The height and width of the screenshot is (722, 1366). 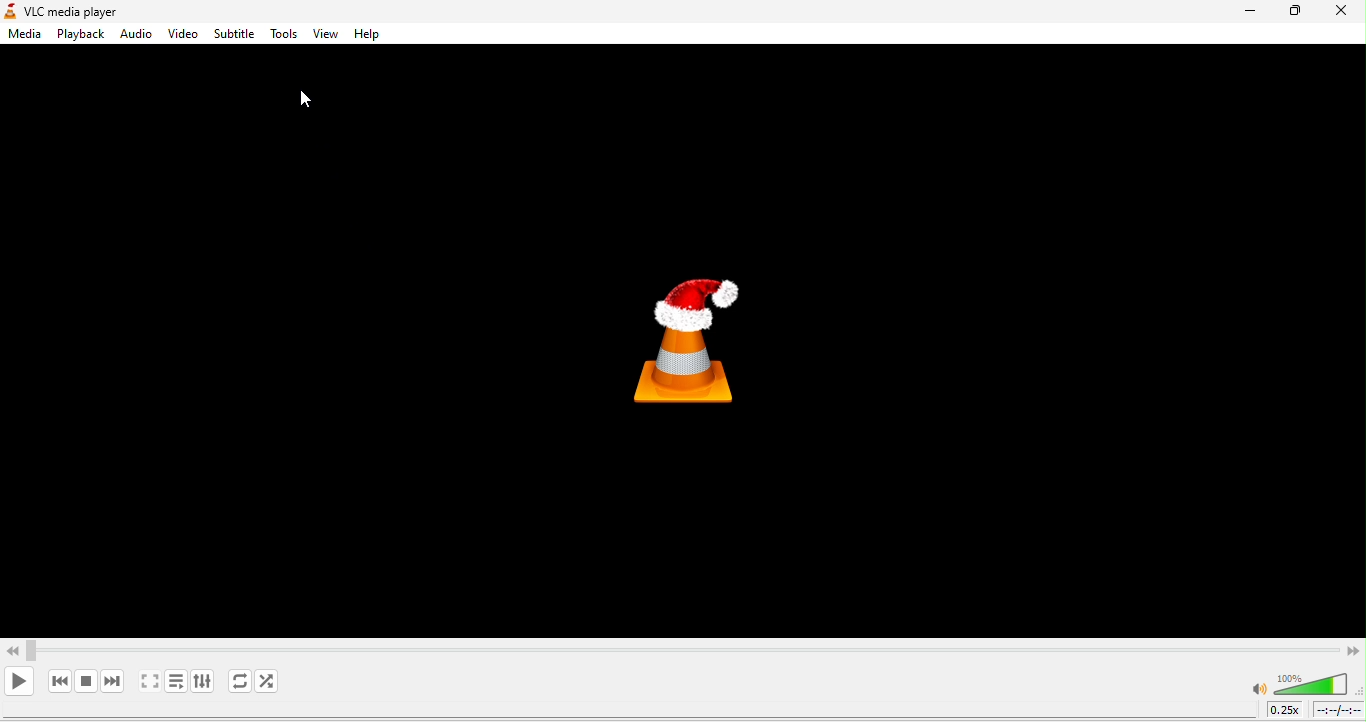 What do you see at coordinates (147, 683) in the screenshot?
I see `toggle video in  full screen` at bounding box center [147, 683].